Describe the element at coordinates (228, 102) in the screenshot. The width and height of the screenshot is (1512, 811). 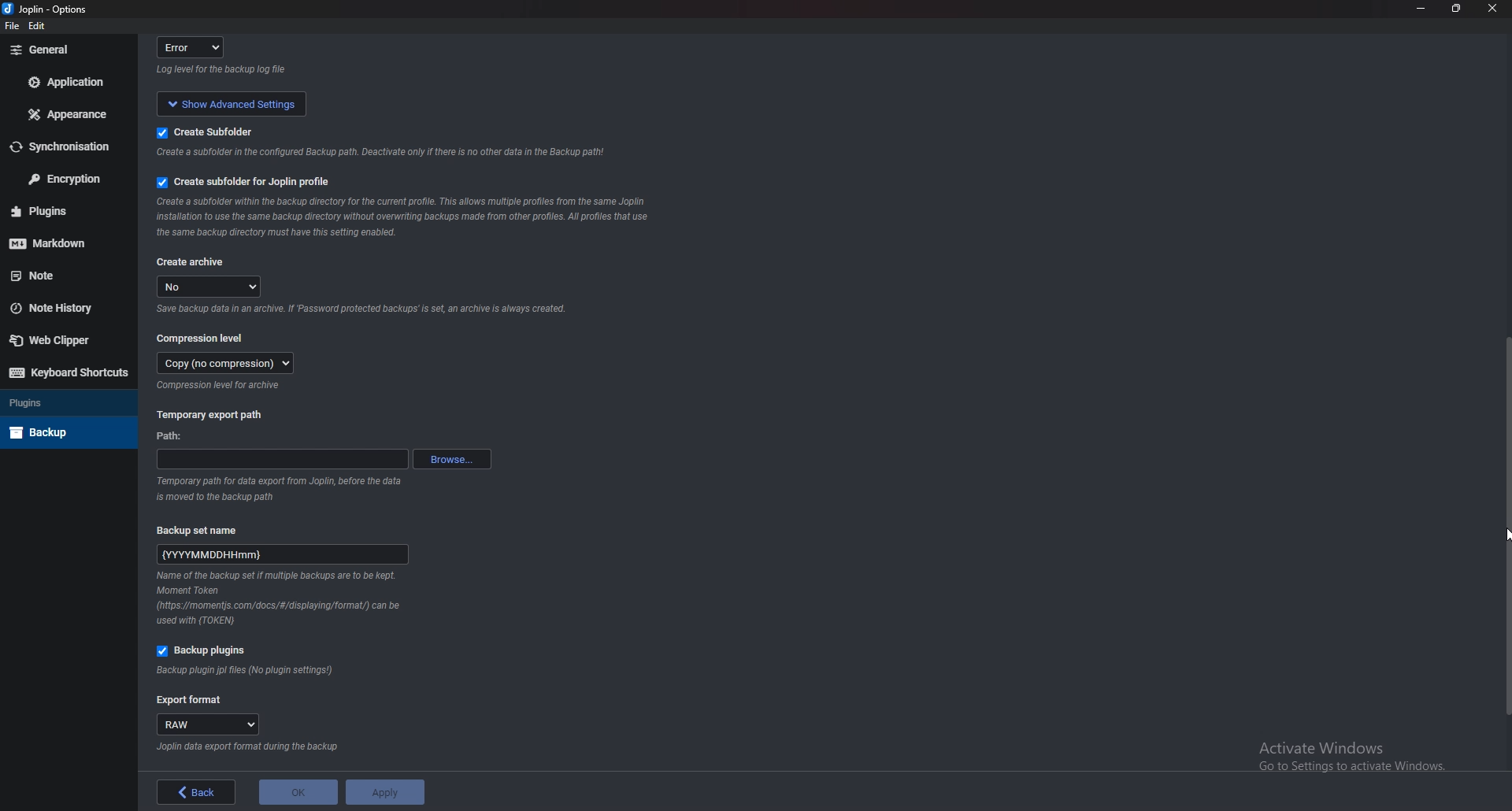
I see `show advanced settings` at that location.